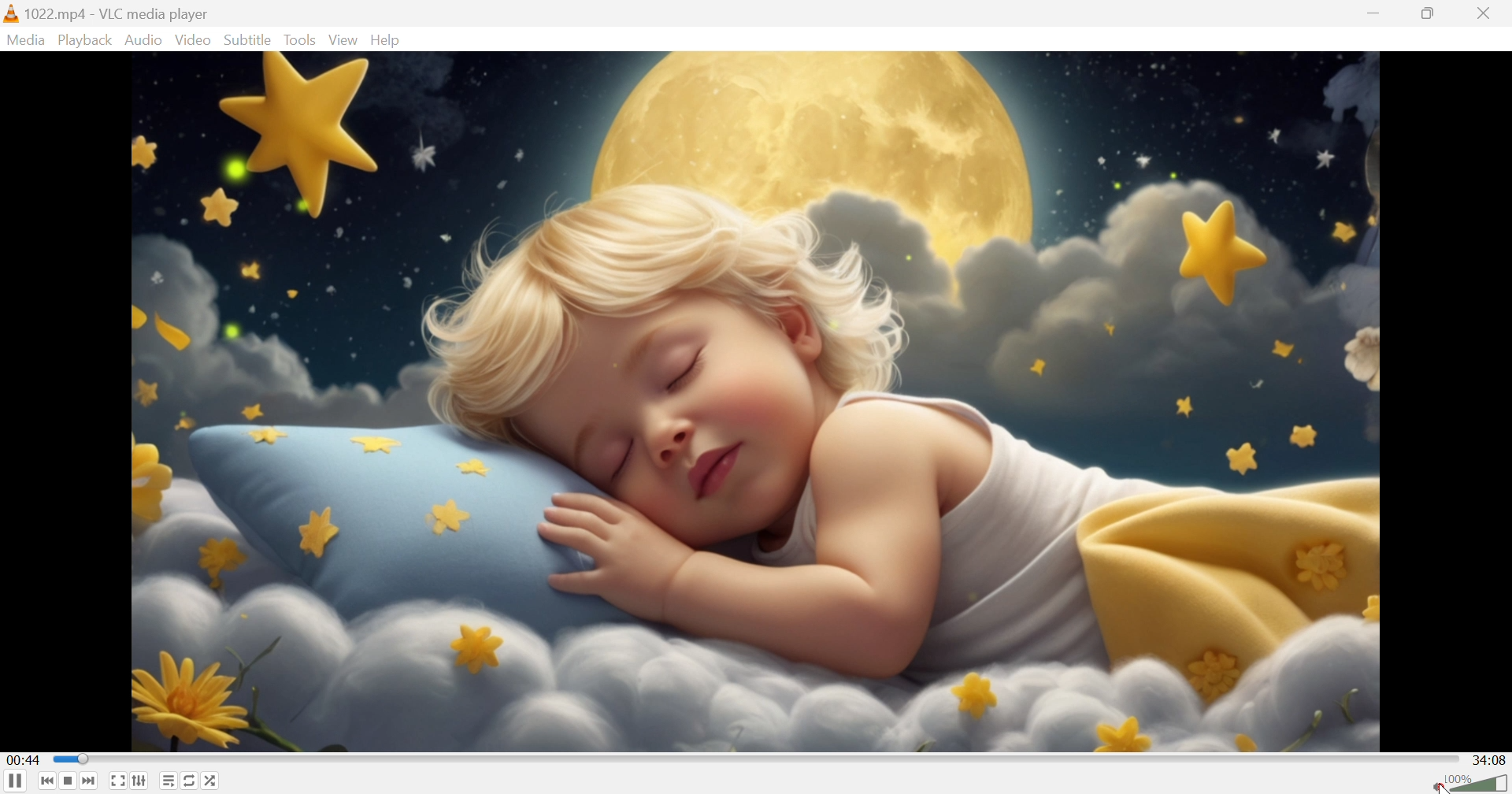 This screenshot has height=794, width=1512. Describe the element at coordinates (1492, 759) in the screenshot. I see `34:08` at that location.